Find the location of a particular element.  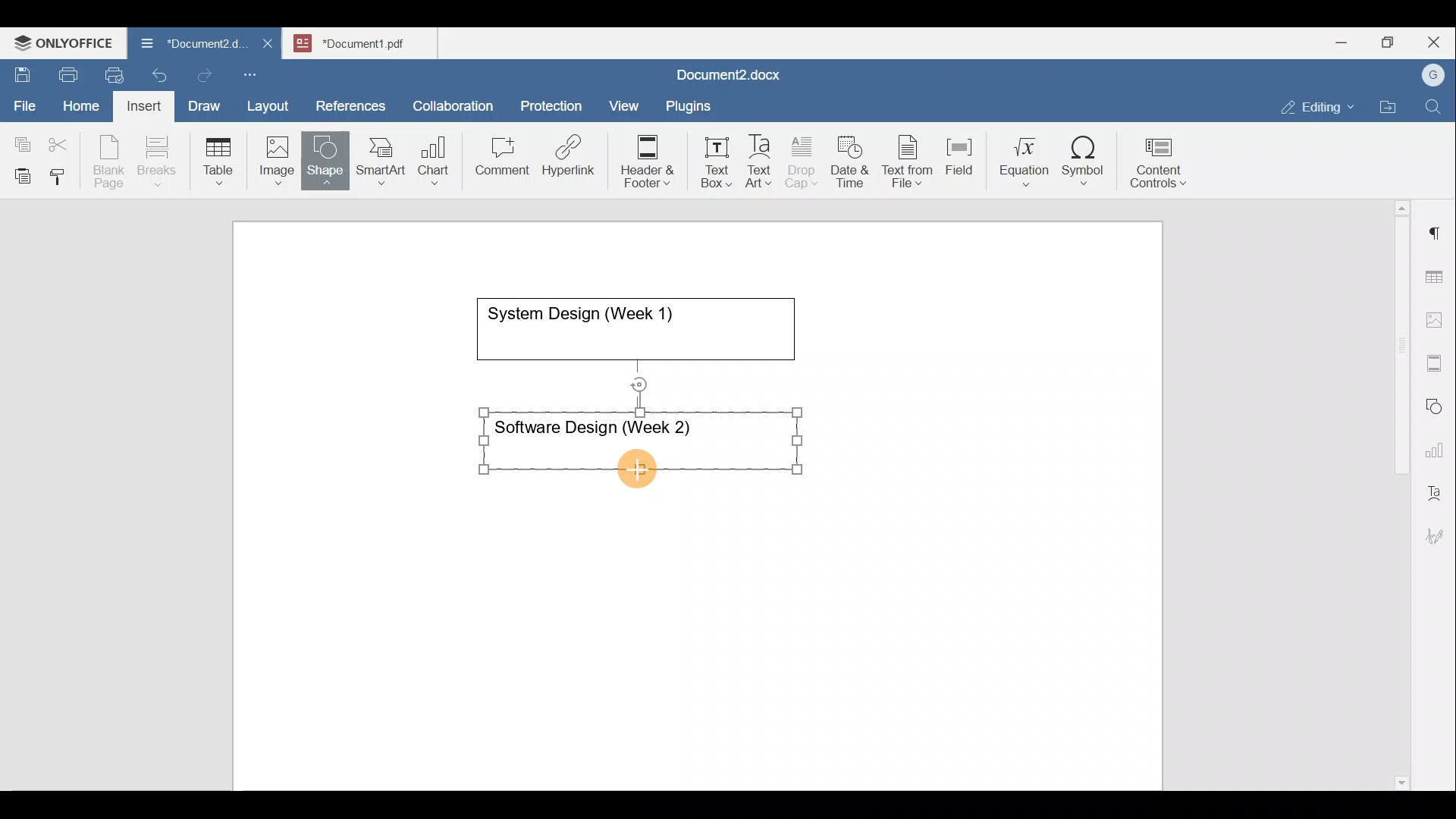

Redo is located at coordinates (204, 76).